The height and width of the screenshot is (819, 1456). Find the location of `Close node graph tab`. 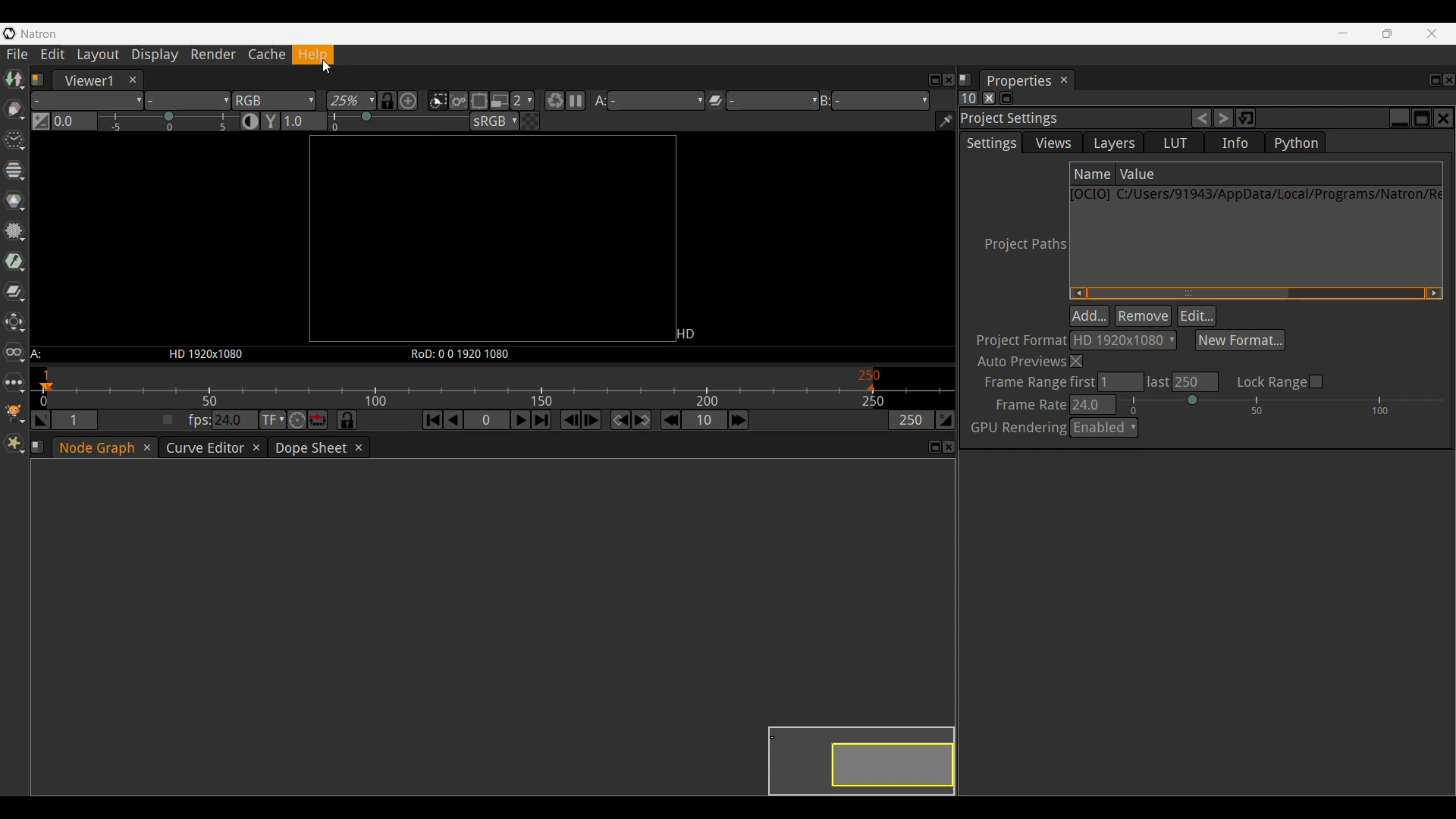

Close node graph tab is located at coordinates (145, 447).